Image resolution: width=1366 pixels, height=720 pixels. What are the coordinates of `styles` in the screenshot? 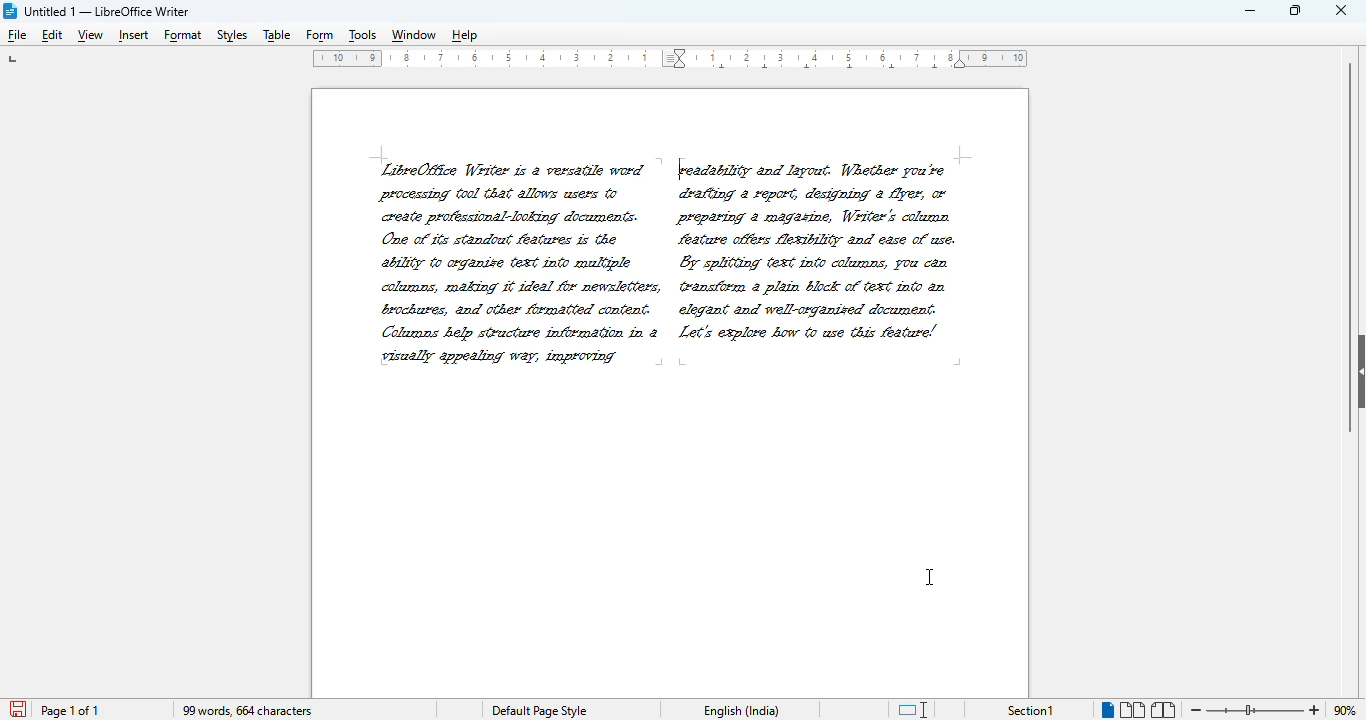 It's located at (233, 36).